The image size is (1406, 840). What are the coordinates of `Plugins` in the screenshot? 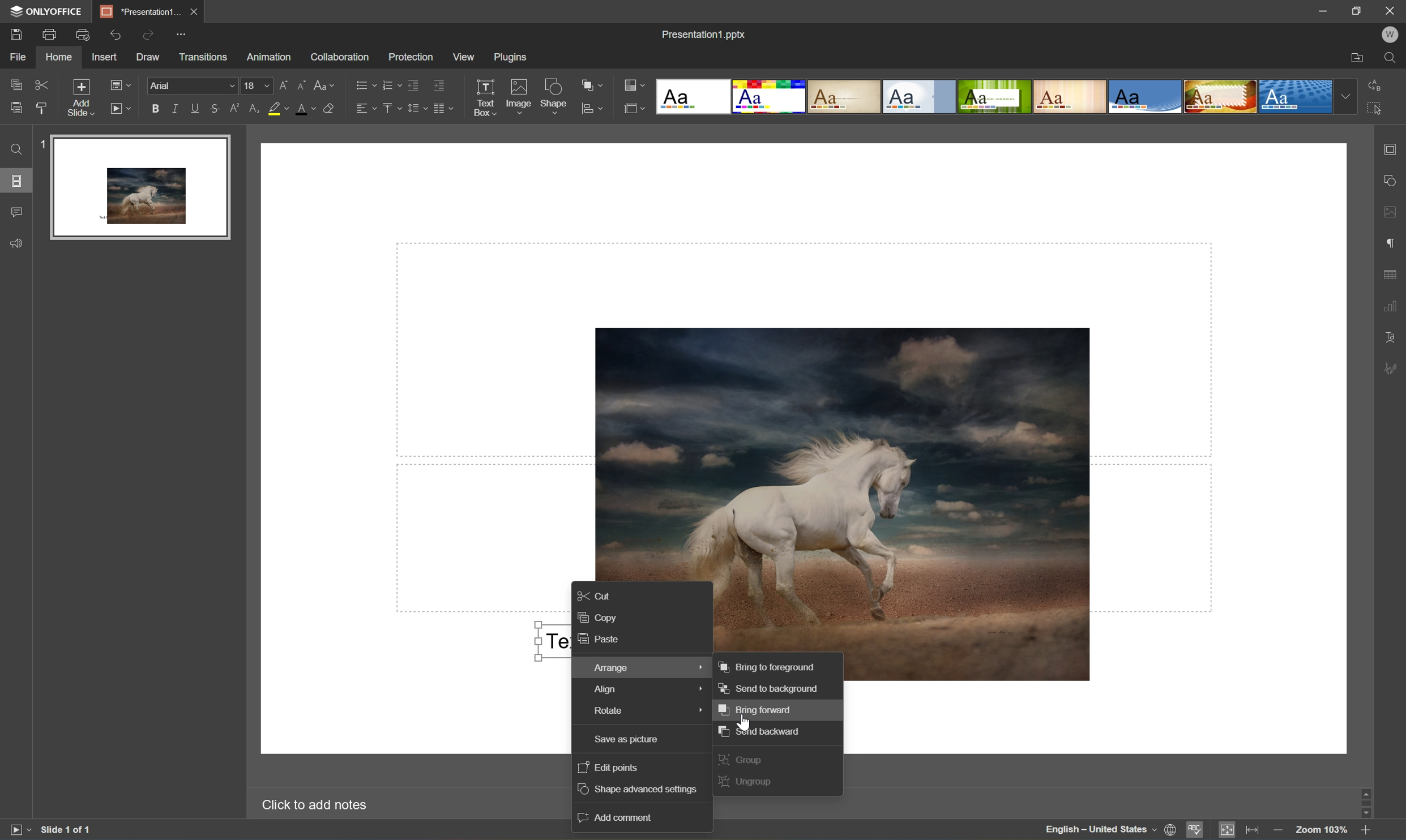 It's located at (514, 58).